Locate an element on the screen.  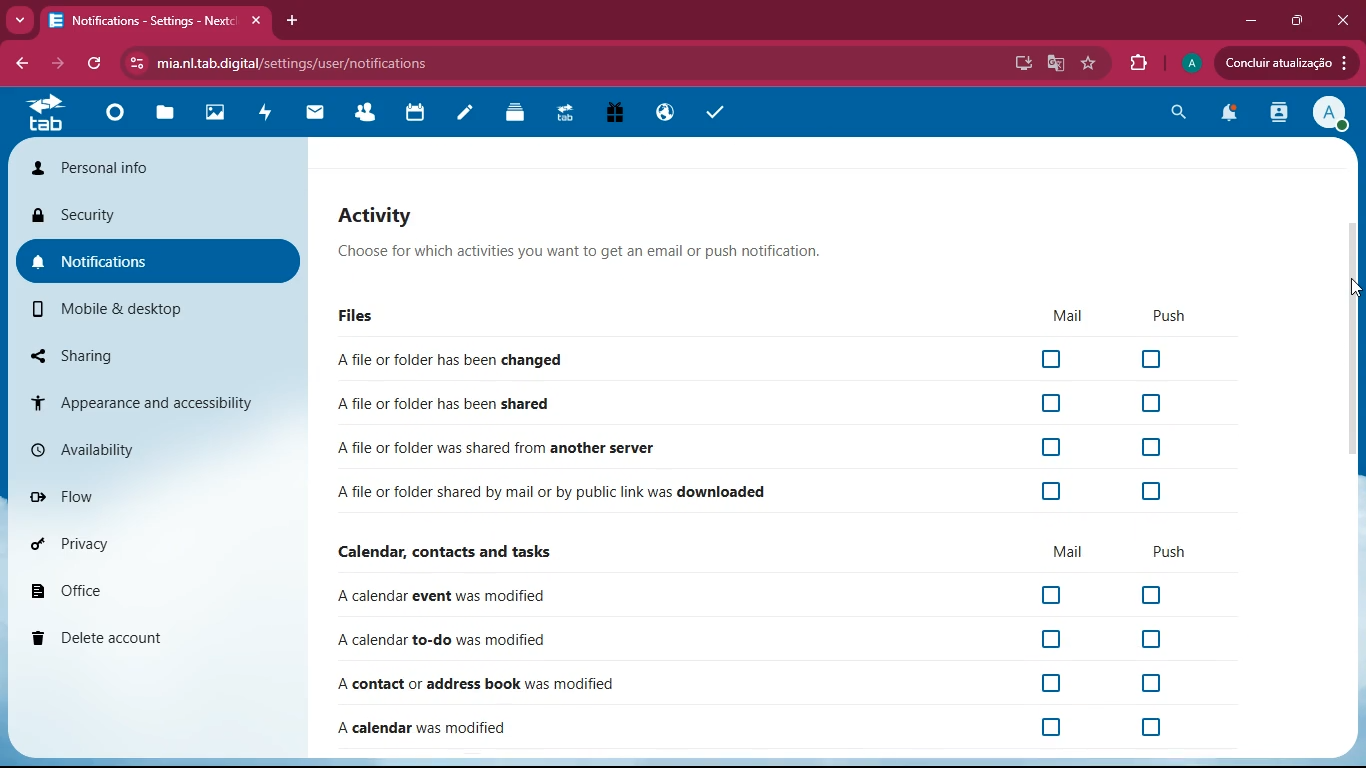
home is located at coordinates (111, 122).